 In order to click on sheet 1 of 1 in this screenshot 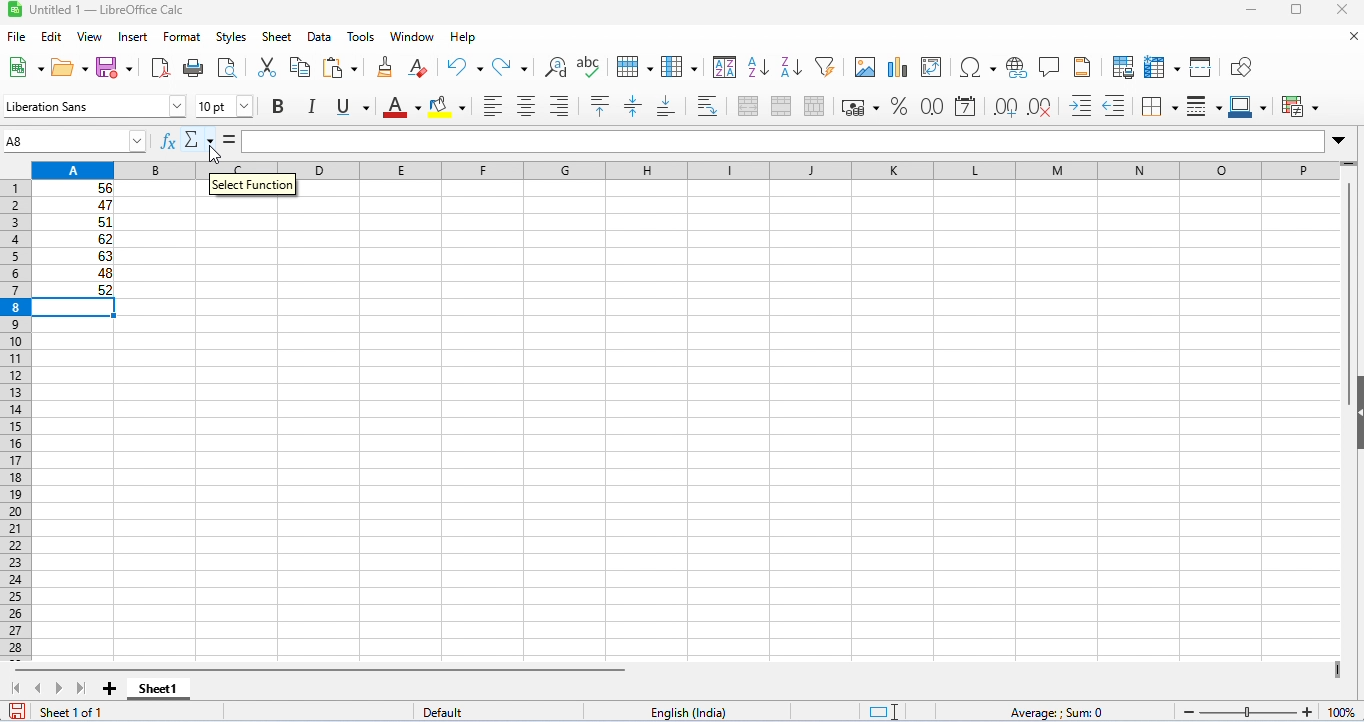, I will do `click(72, 712)`.